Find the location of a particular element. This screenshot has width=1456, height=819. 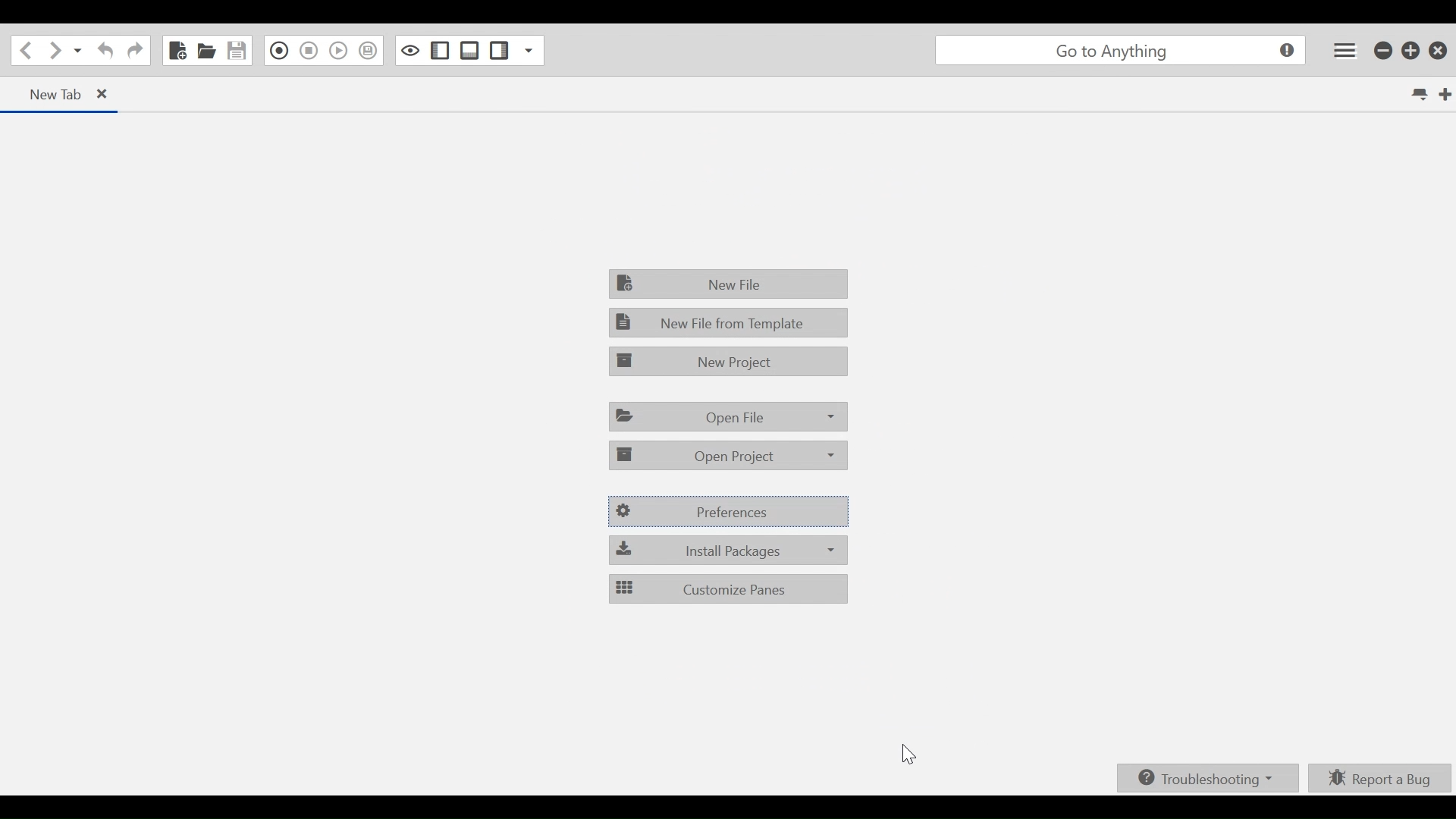

Troubleshooting is located at coordinates (1205, 779).